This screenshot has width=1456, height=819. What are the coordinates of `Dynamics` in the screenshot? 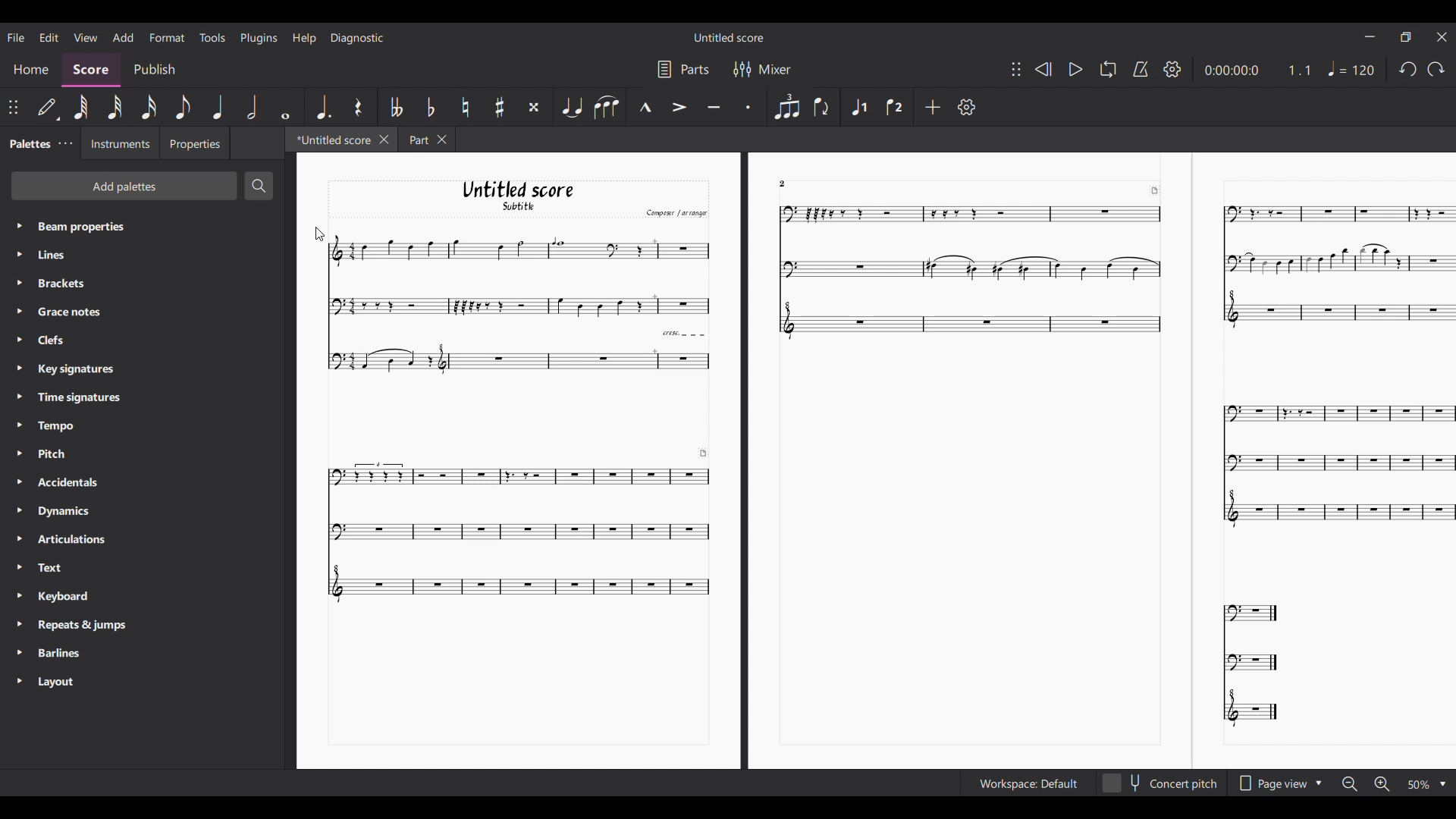 It's located at (71, 510).